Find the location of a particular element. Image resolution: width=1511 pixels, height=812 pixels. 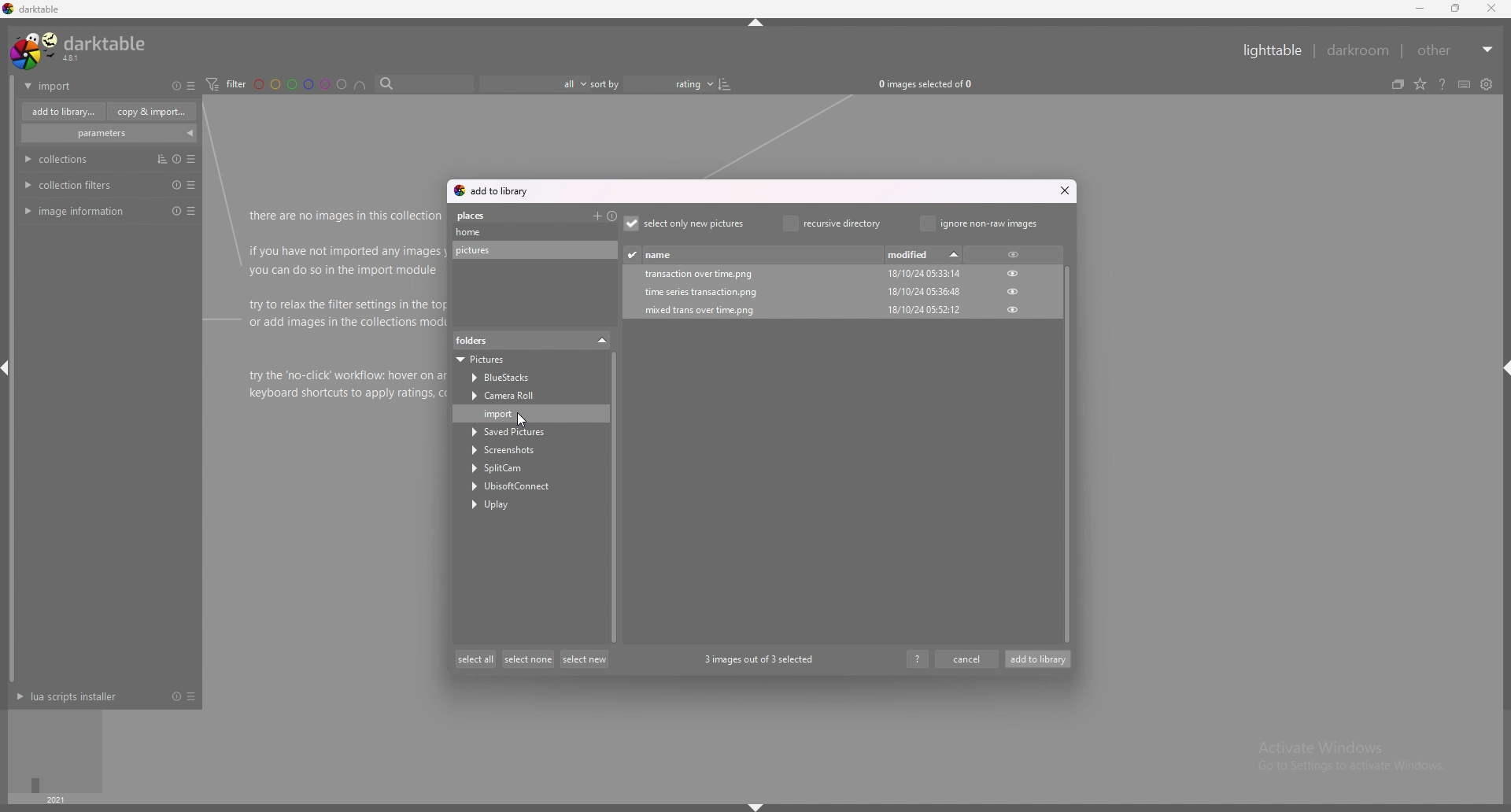

hide is located at coordinates (1014, 273).